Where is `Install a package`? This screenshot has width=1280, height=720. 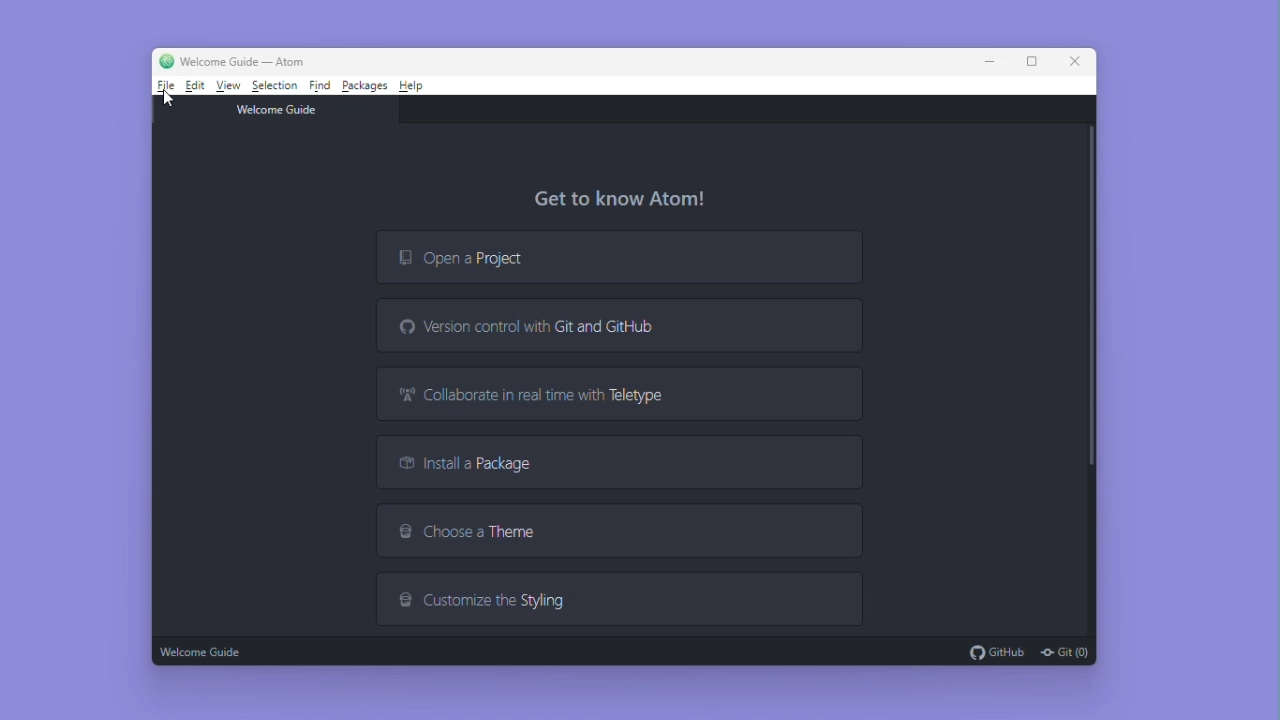 Install a package is located at coordinates (621, 463).